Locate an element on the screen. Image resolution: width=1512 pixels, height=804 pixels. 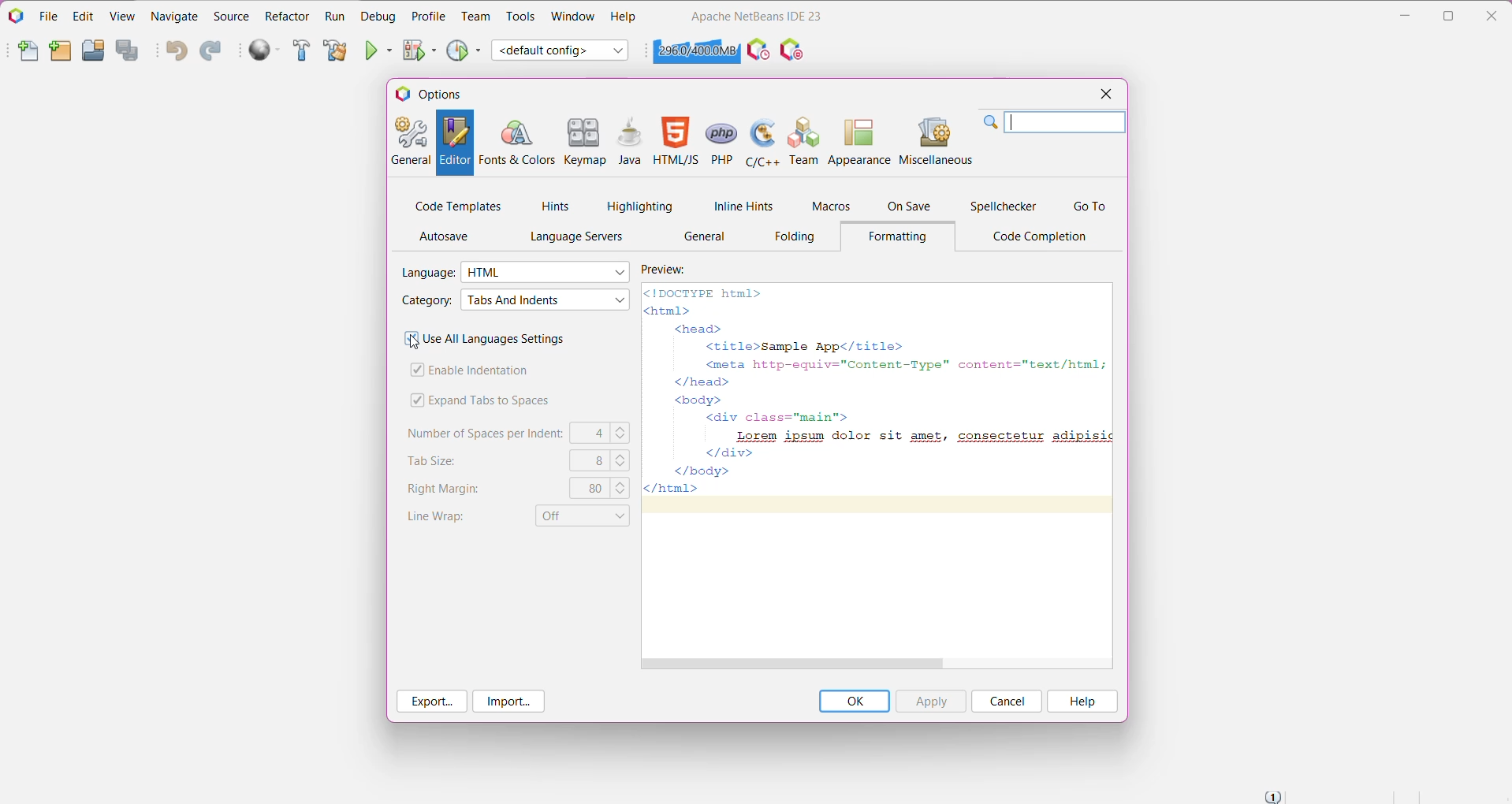
Debug is located at coordinates (377, 16).